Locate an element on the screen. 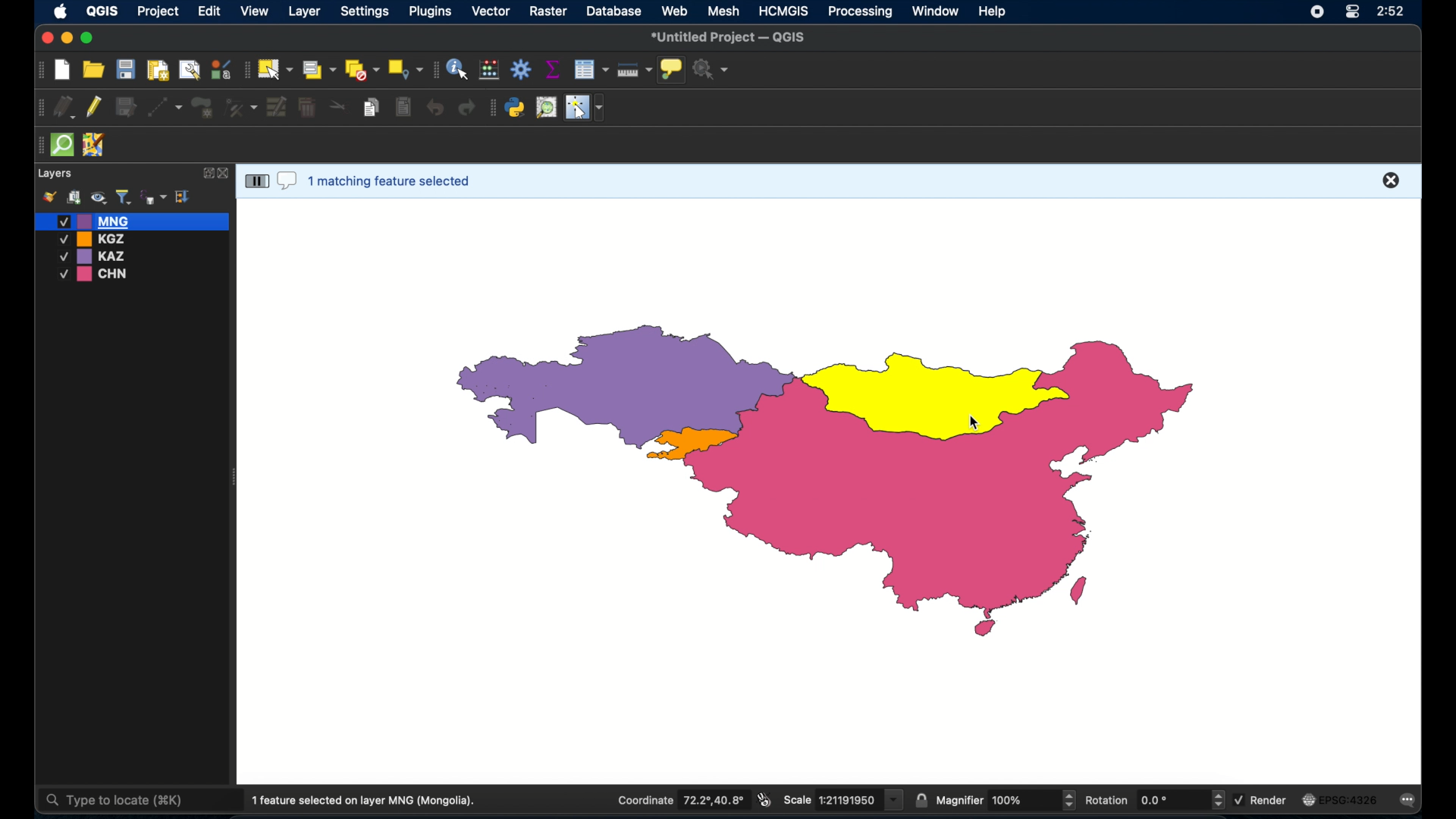  1 features selected on layer MNG (Mongolia). is located at coordinates (369, 801).